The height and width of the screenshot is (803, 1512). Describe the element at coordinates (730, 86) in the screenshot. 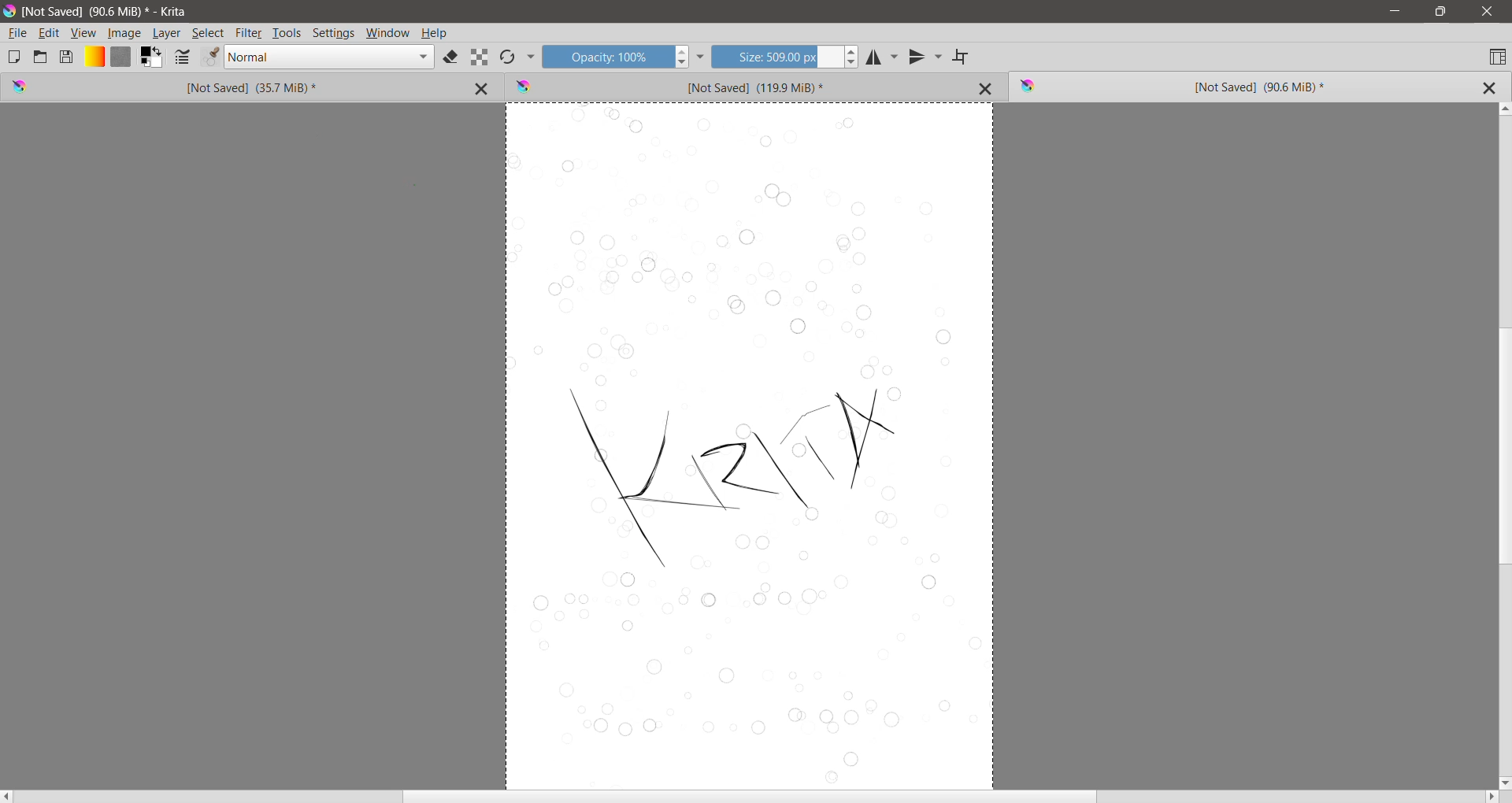

I see `Unsaved Image Tab 2` at that location.